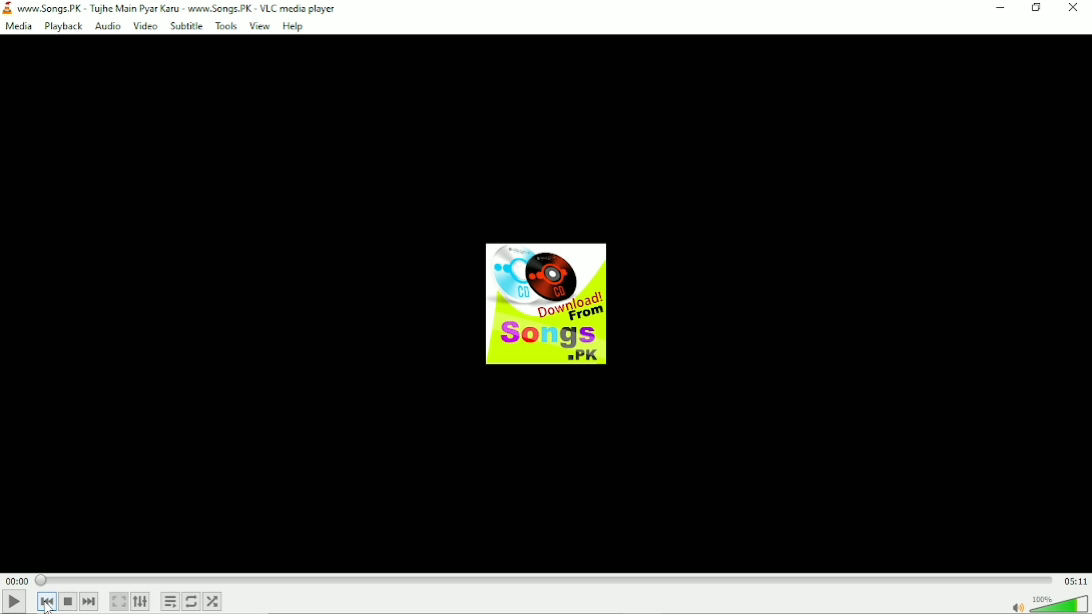 The image size is (1092, 614). Describe the element at coordinates (224, 26) in the screenshot. I see `Tools` at that location.